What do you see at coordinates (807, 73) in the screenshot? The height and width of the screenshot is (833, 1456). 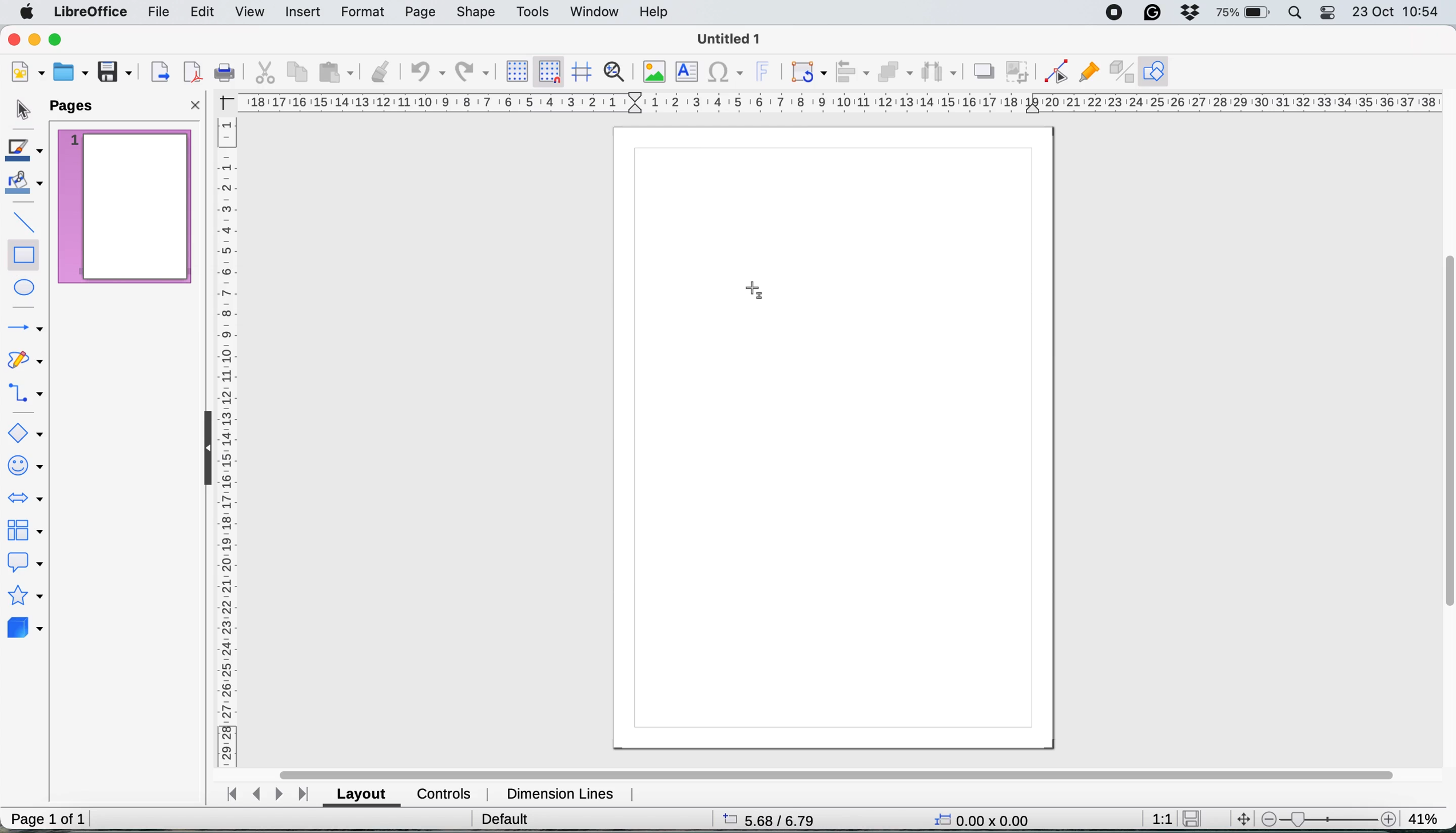 I see `transformations` at bounding box center [807, 73].